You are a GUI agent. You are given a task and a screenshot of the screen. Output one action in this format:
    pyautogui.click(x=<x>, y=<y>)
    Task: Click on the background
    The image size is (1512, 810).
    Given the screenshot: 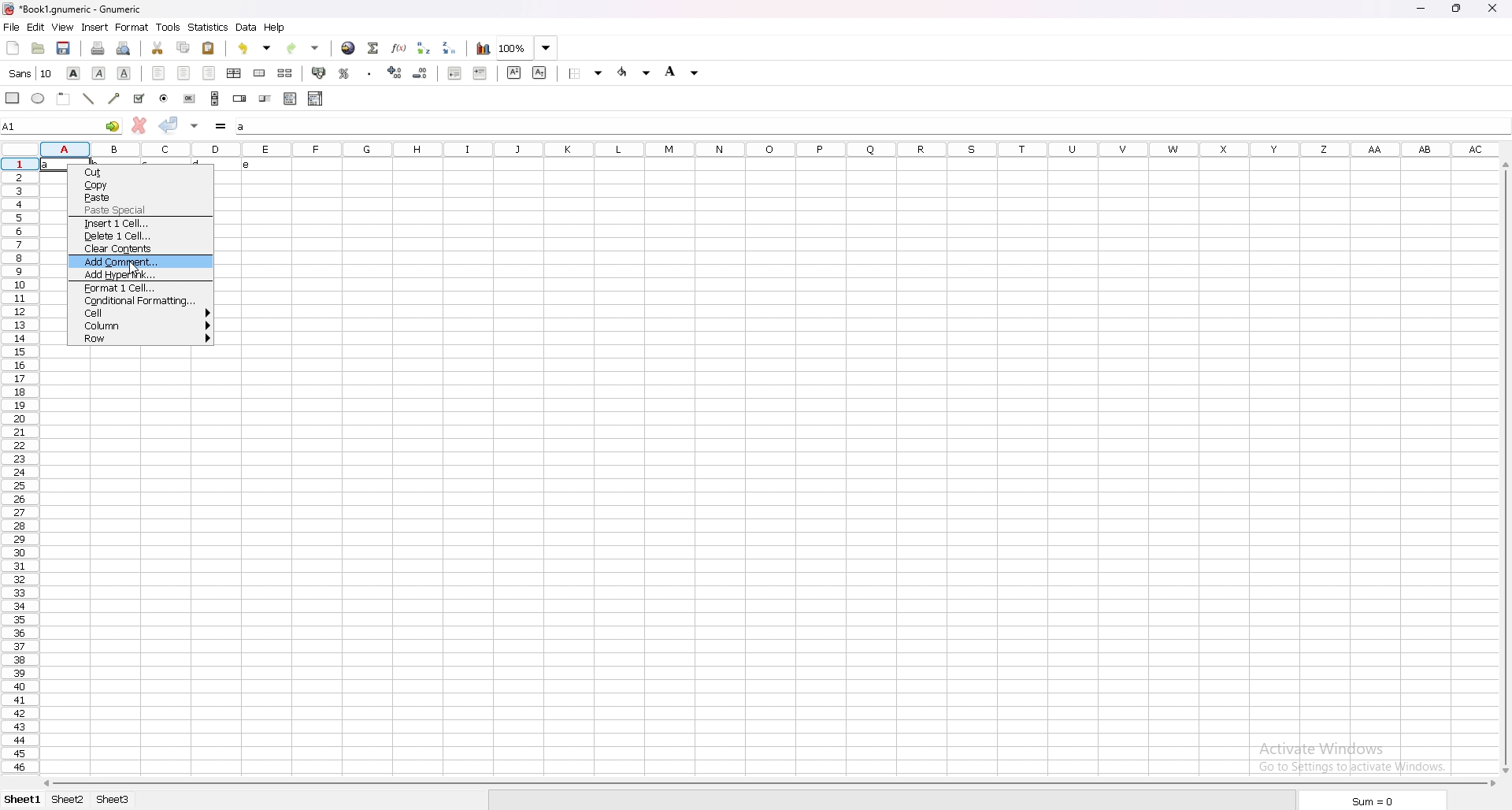 What is the action you would take?
    pyautogui.click(x=683, y=71)
    